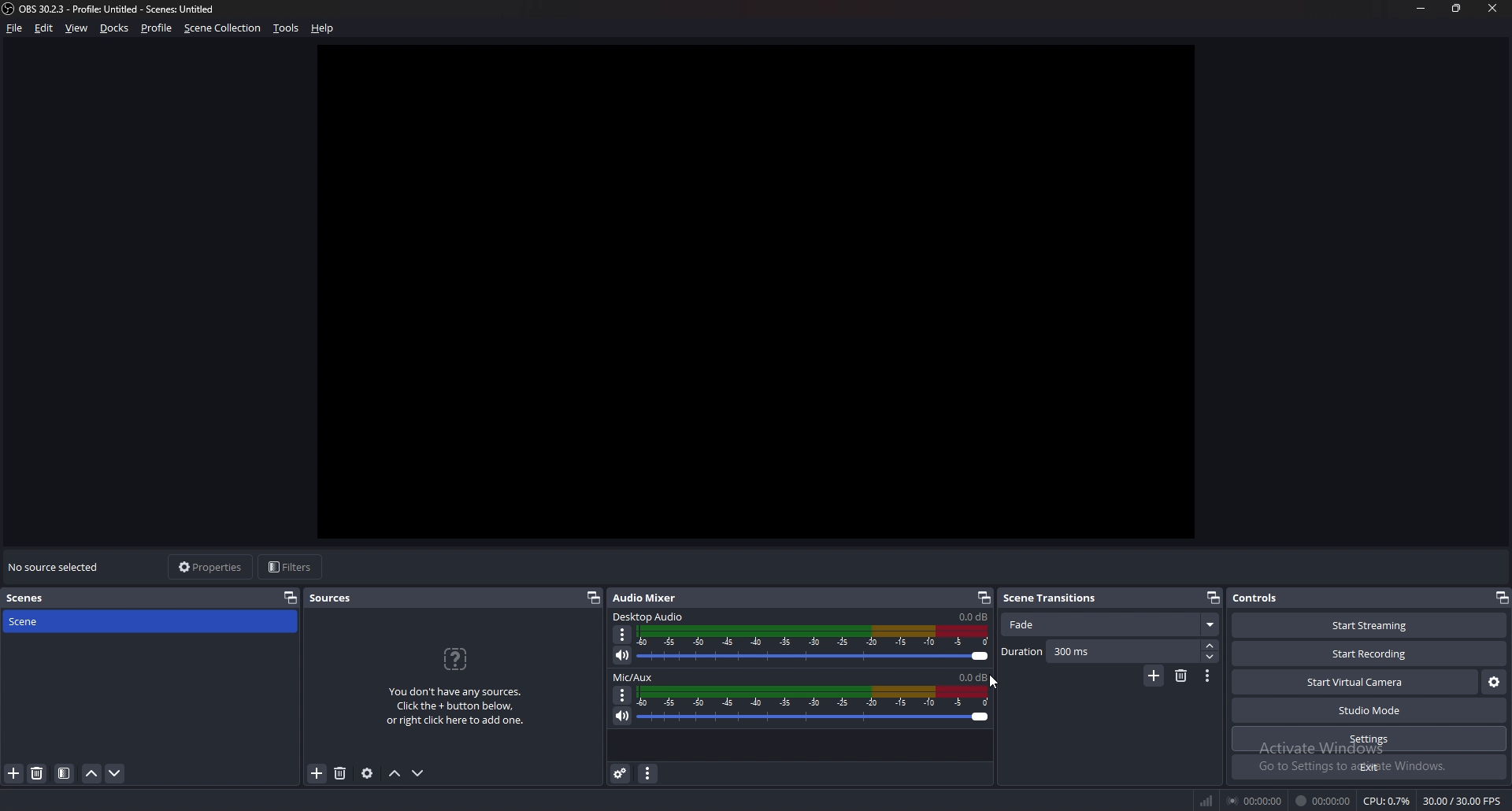 Image resolution: width=1512 pixels, height=811 pixels. What do you see at coordinates (115, 28) in the screenshot?
I see `docks` at bounding box center [115, 28].